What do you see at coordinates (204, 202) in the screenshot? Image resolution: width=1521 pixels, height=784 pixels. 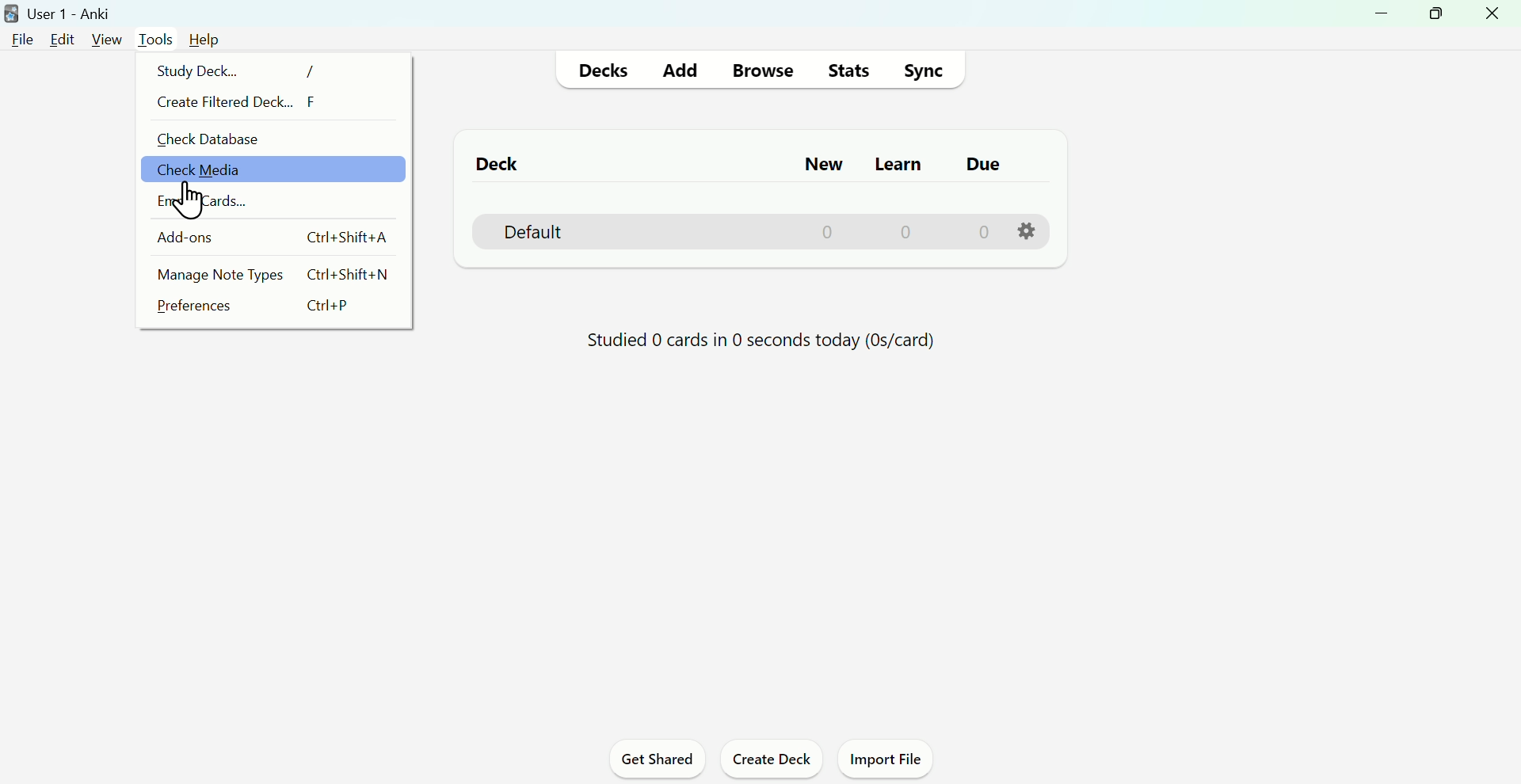 I see `Email cards` at bounding box center [204, 202].